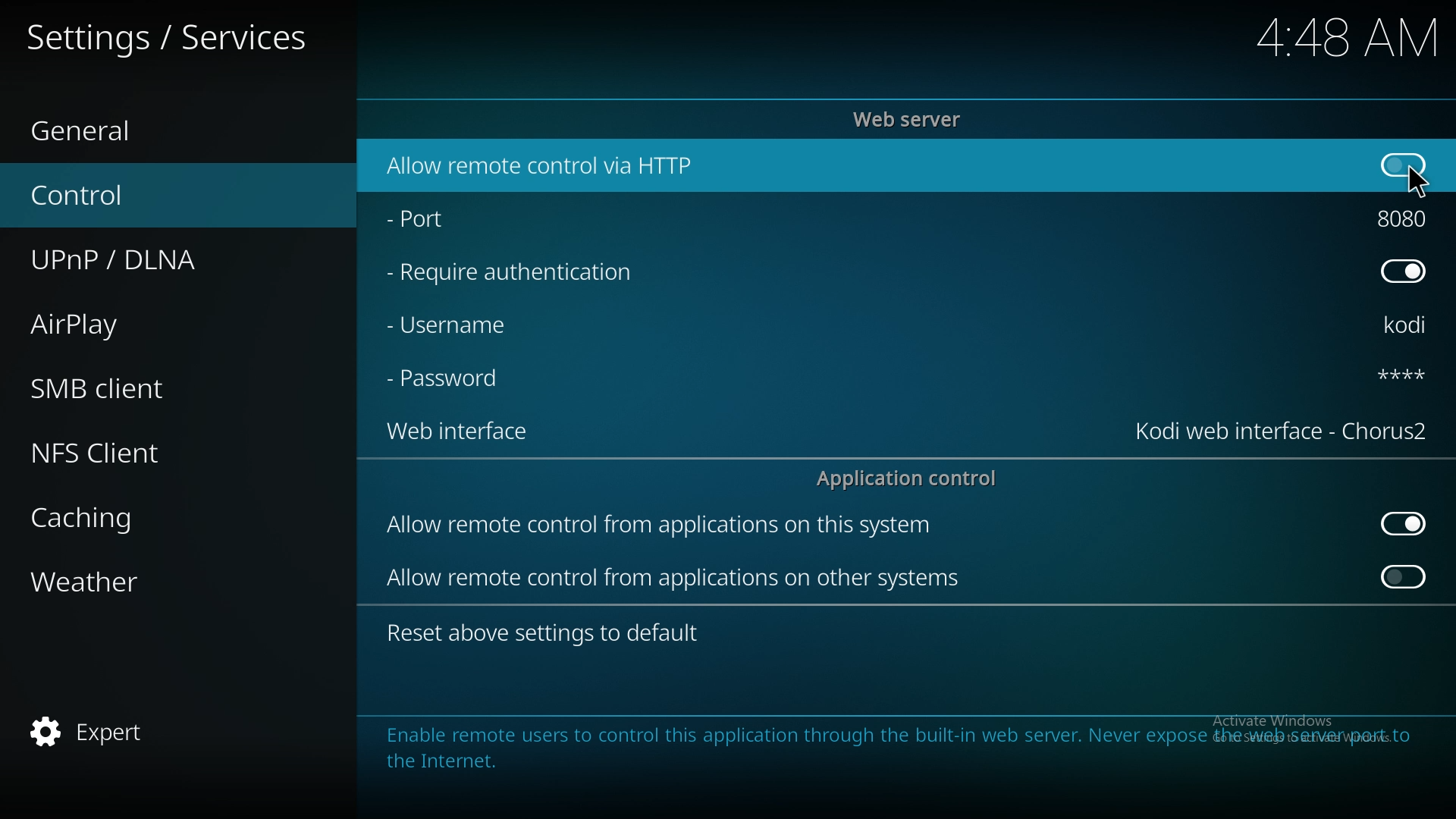 Image resolution: width=1456 pixels, height=819 pixels. What do you see at coordinates (121, 519) in the screenshot?
I see `caching` at bounding box center [121, 519].